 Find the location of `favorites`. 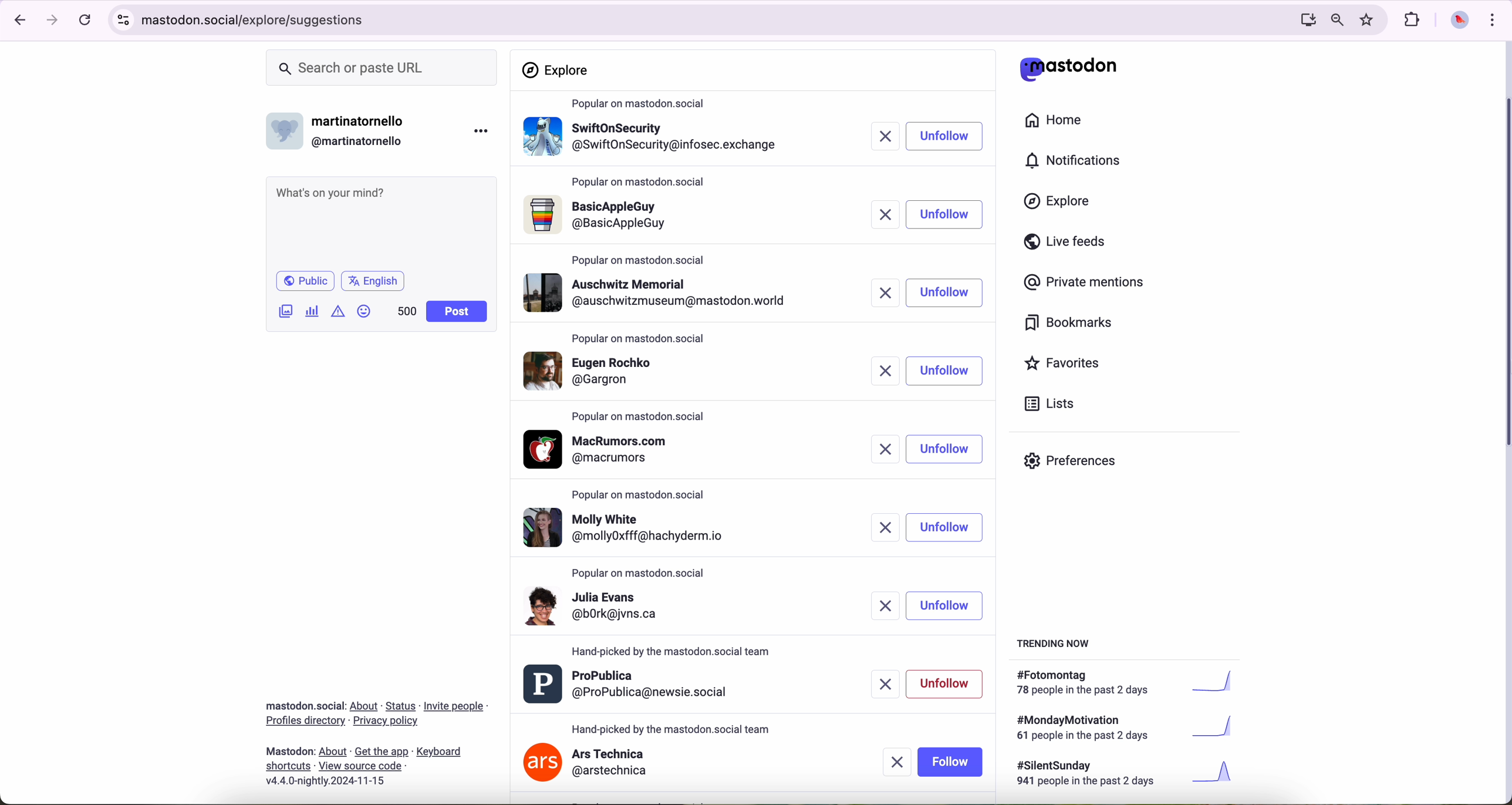

favorites is located at coordinates (1369, 20).